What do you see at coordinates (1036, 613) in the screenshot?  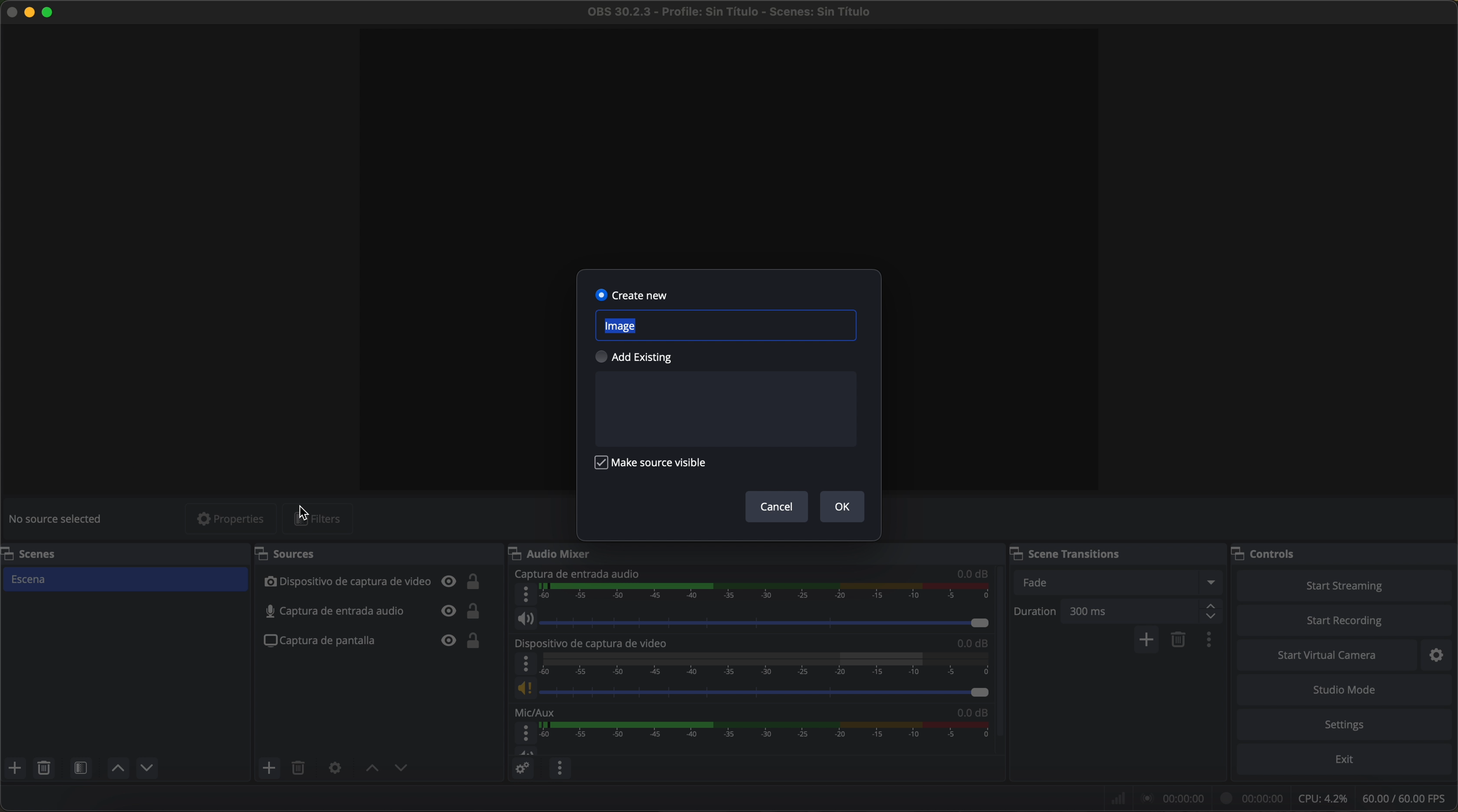 I see `duration` at bounding box center [1036, 613].